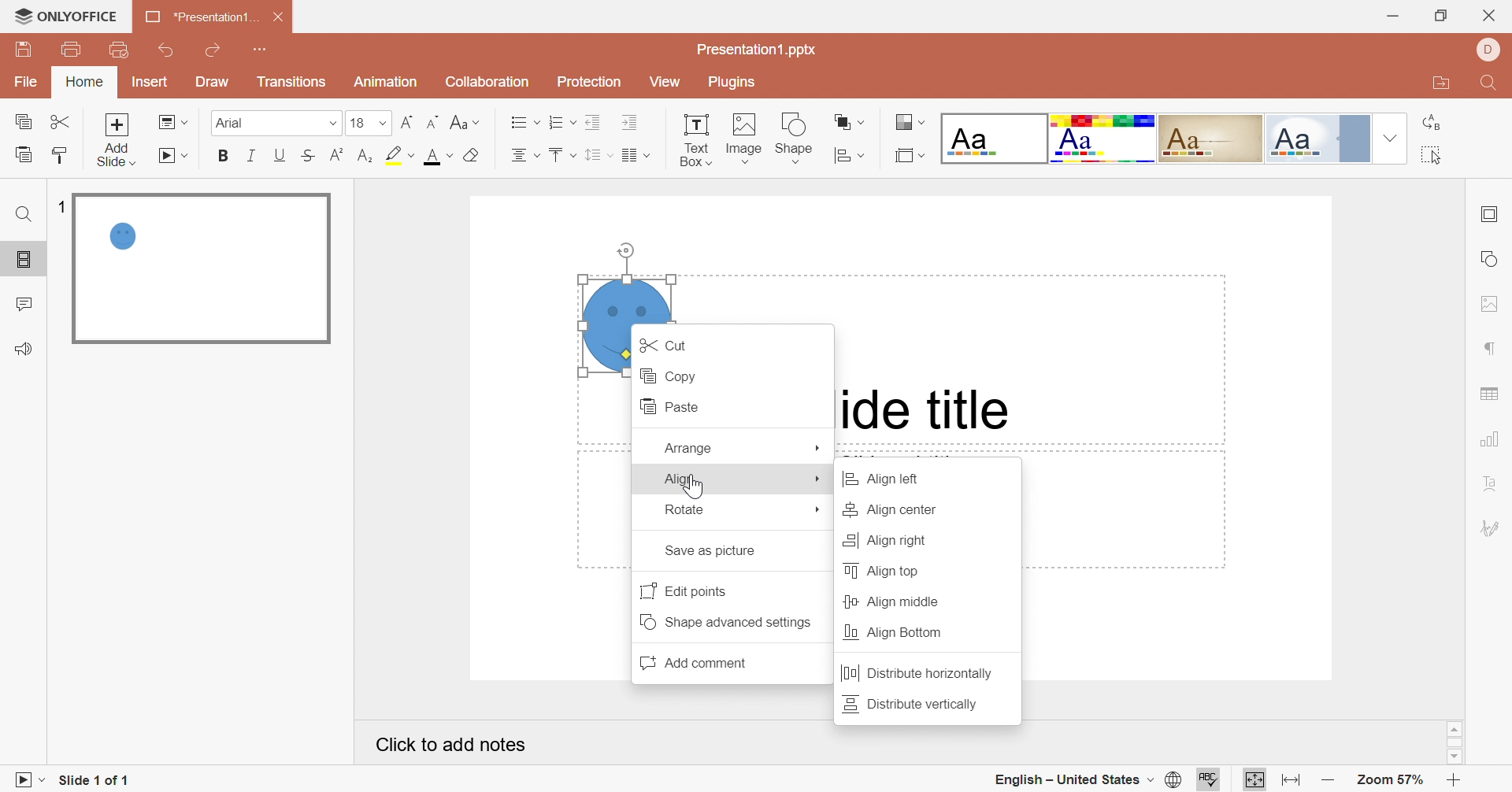 This screenshot has height=792, width=1512. Describe the element at coordinates (994, 139) in the screenshot. I see `Blank` at that location.